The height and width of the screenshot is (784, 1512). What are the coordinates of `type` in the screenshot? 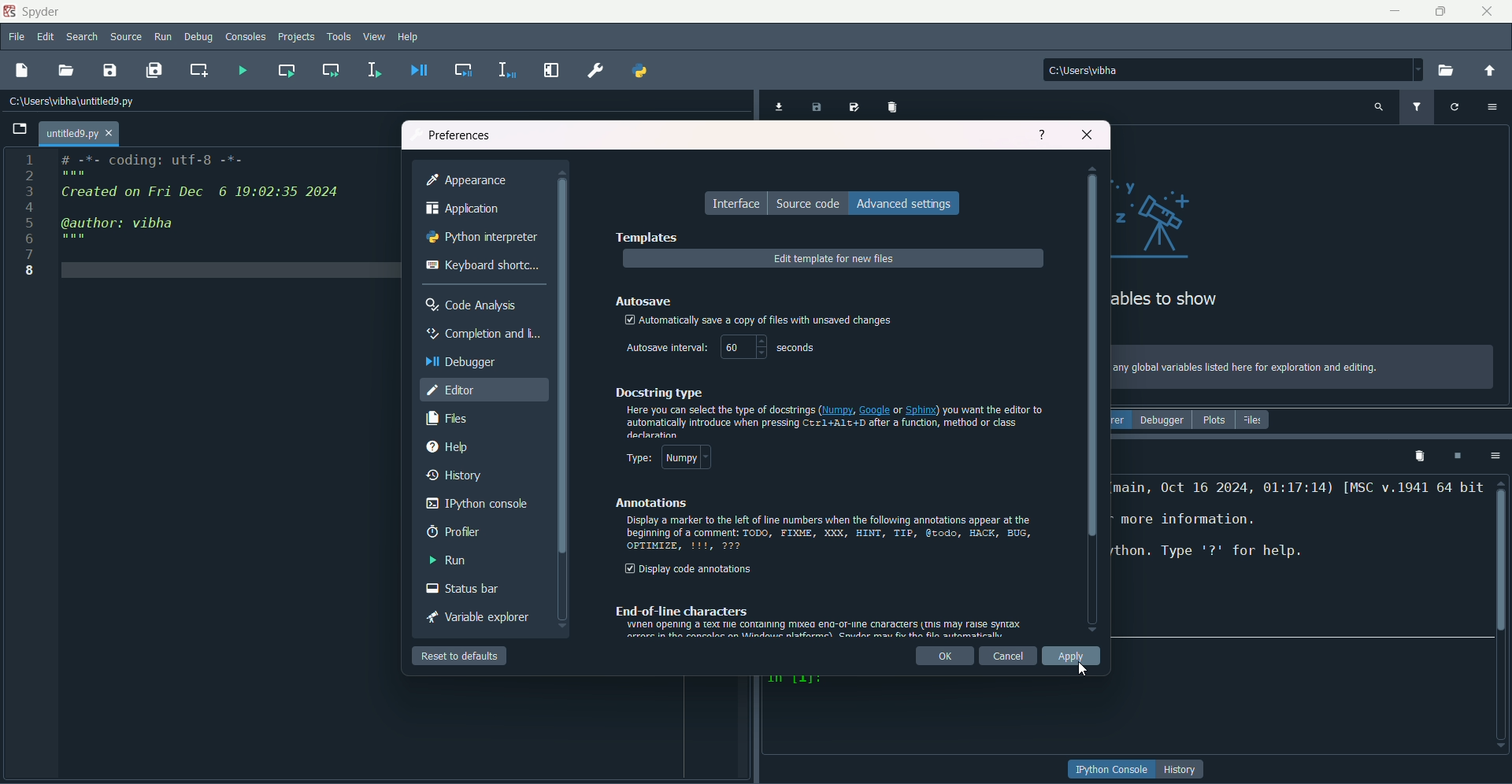 It's located at (665, 457).